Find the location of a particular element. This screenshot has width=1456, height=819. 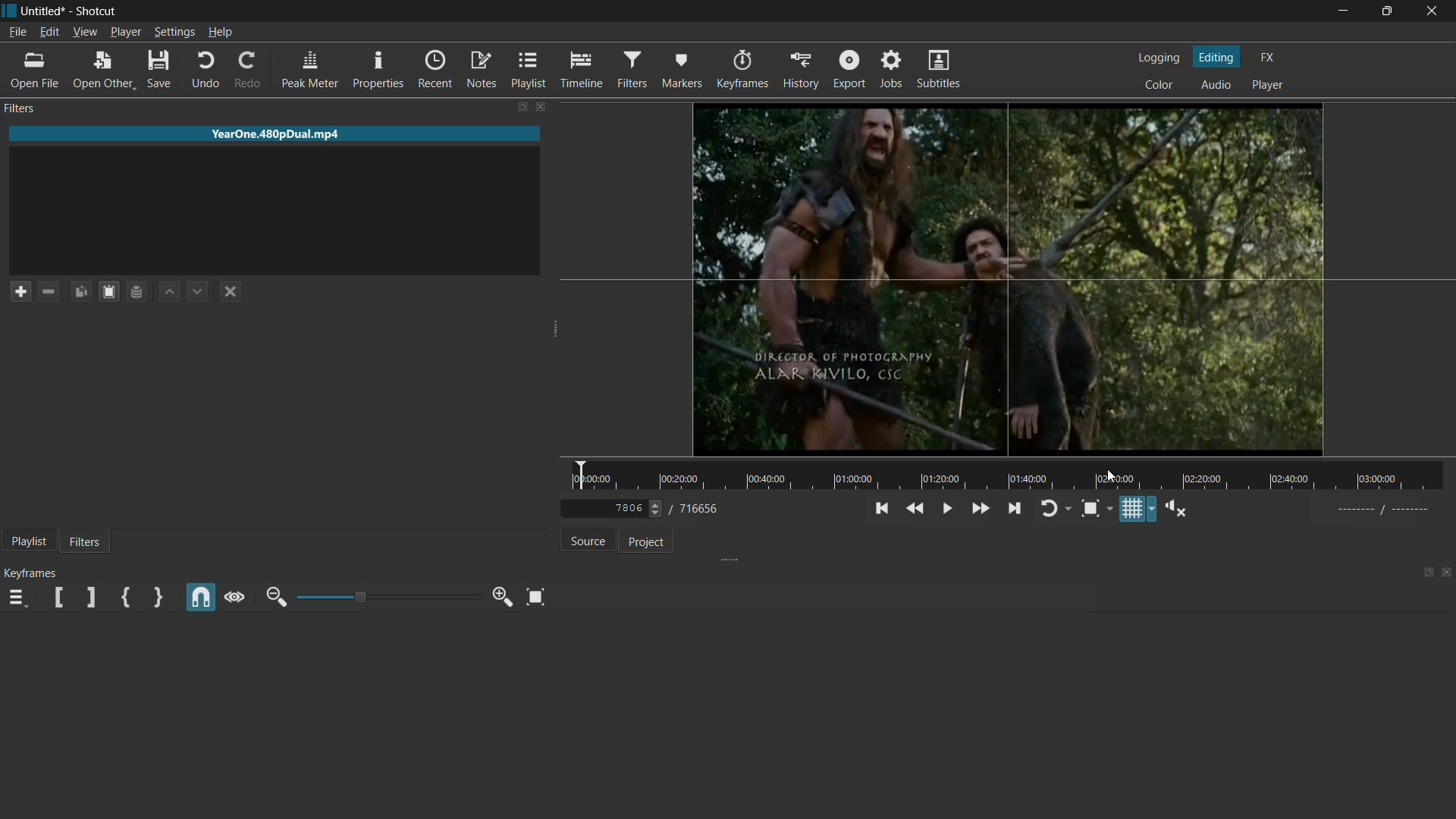

open file is located at coordinates (36, 71).